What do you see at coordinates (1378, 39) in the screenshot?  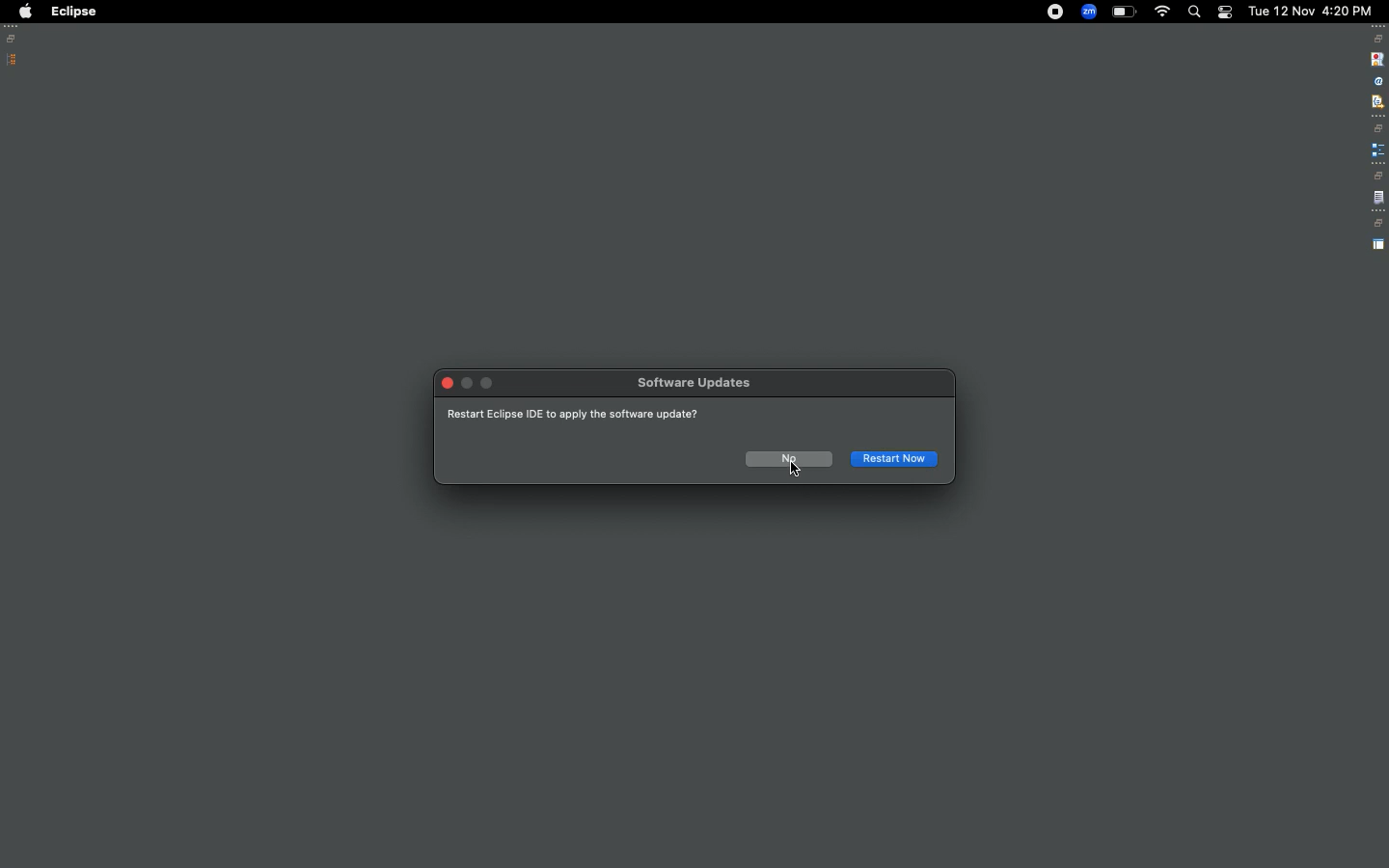 I see `restore` at bounding box center [1378, 39].